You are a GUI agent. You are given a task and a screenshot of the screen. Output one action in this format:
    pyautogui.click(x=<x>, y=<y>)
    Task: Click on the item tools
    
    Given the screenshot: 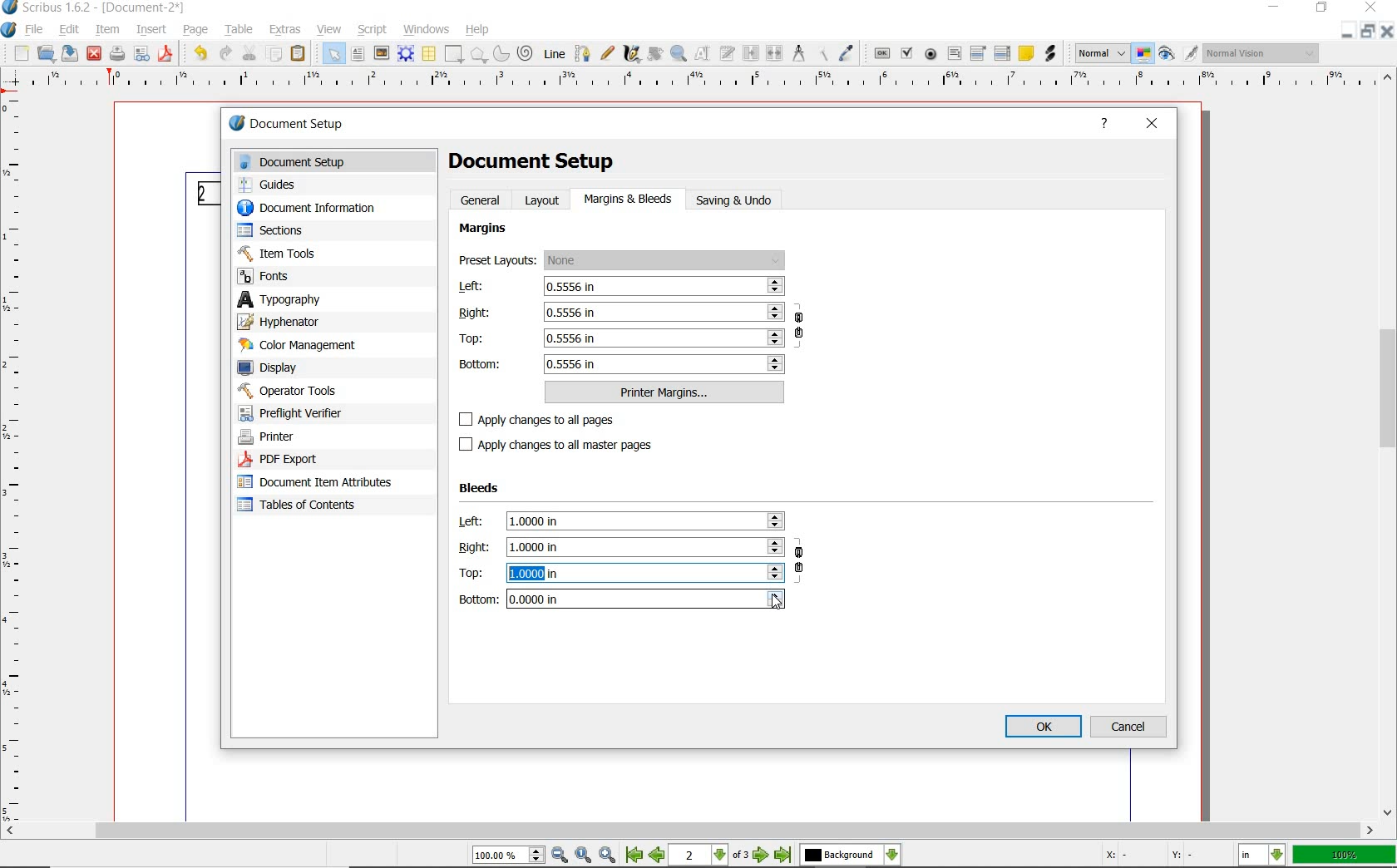 What is the action you would take?
    pyautogui.click(x=280, y=255)
    